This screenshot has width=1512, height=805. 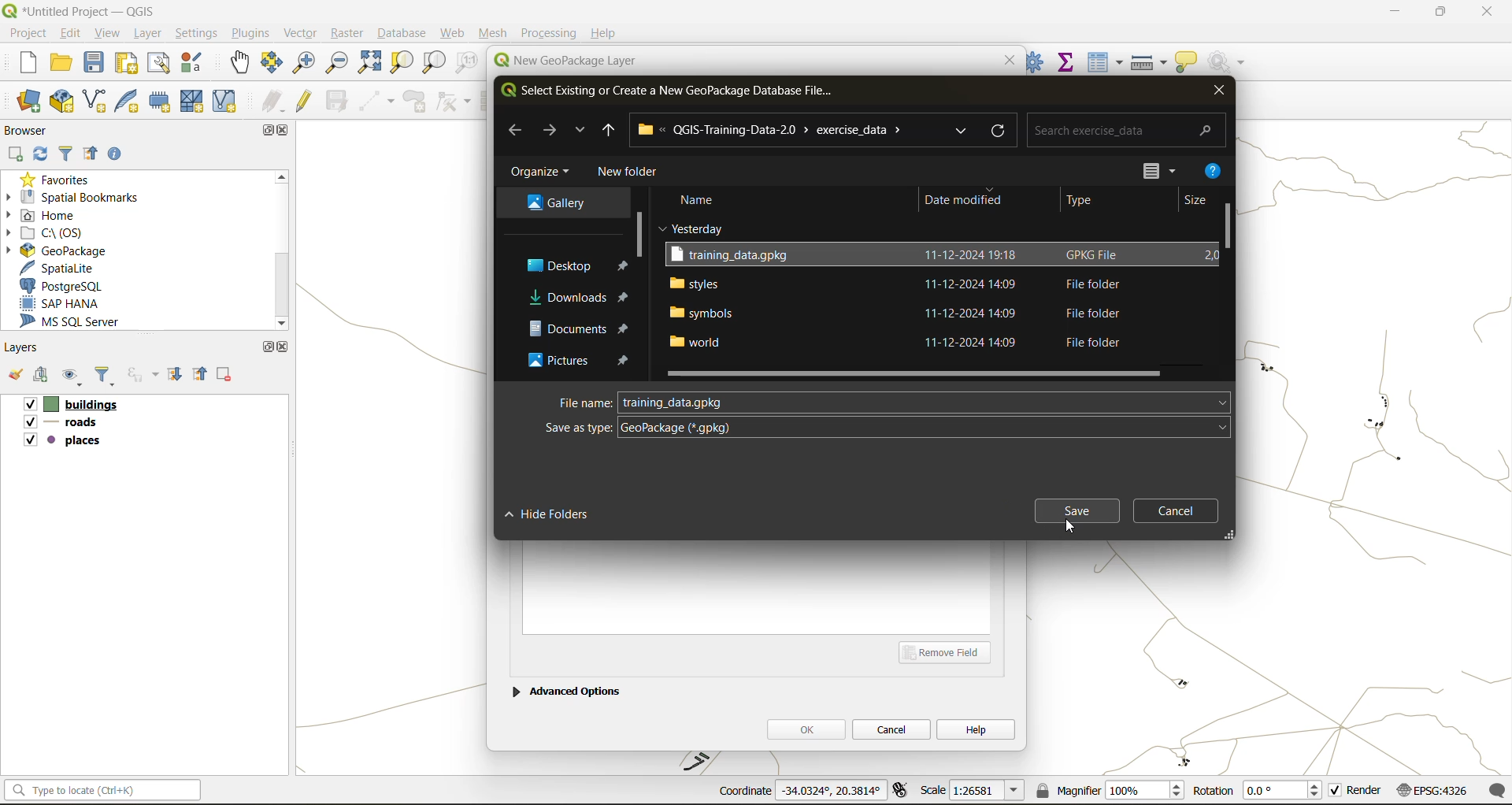 What do you see at coordinates (799, 792) in the screenshot?
I see `coordinates` at bounding box center [799, 792].